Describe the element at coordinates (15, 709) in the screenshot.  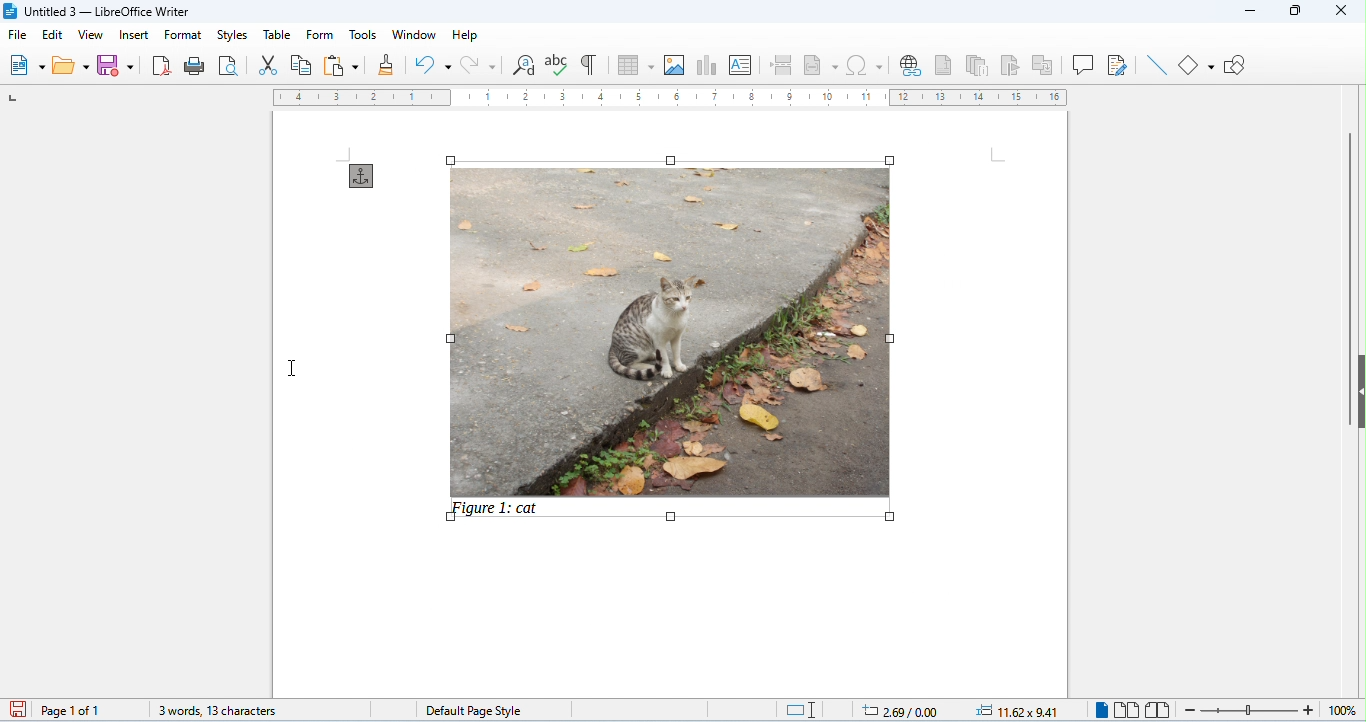
I see `save` at that location.